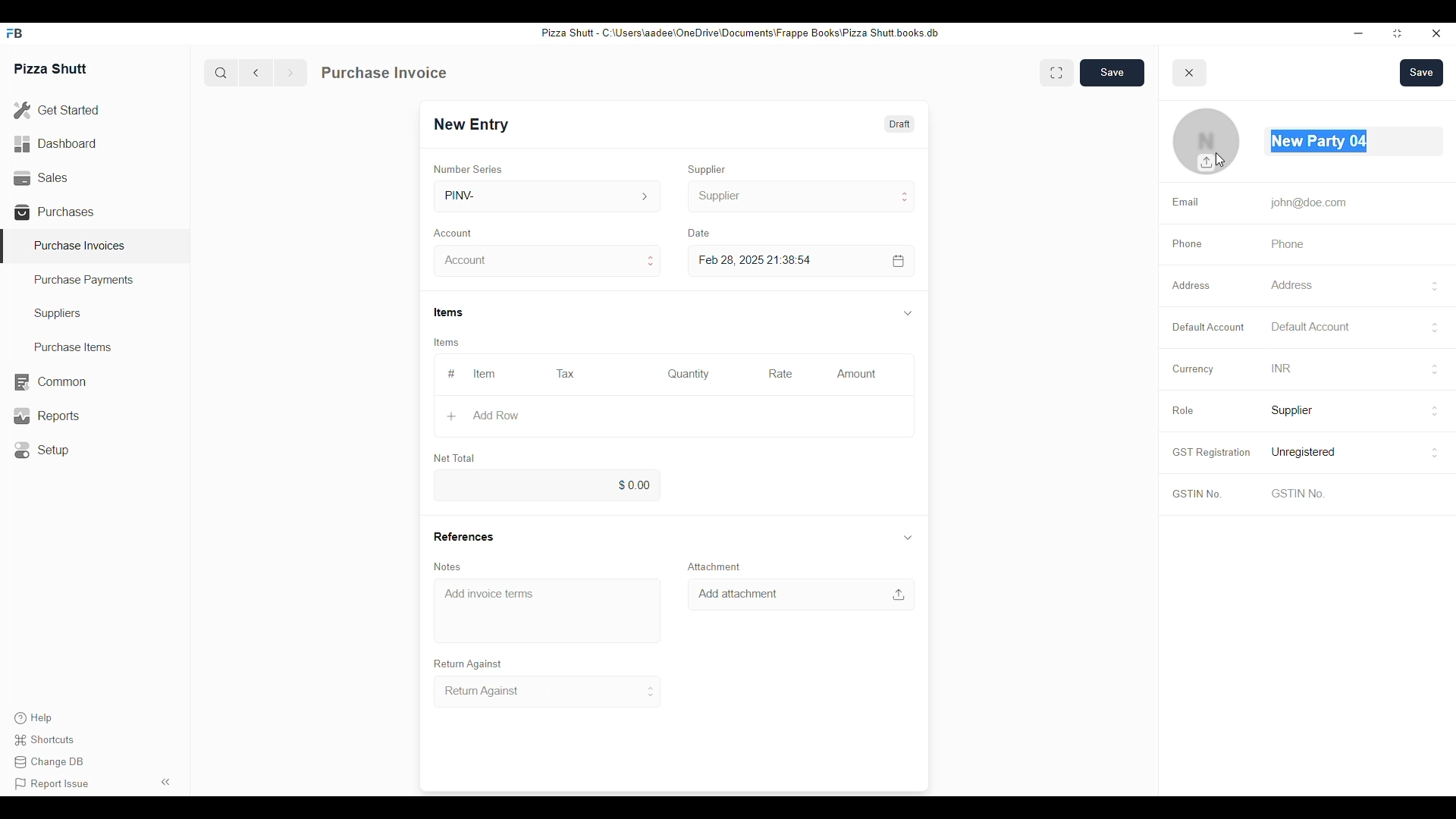 The image size is (1456, 819). I want to click on back, so click(259, 73).